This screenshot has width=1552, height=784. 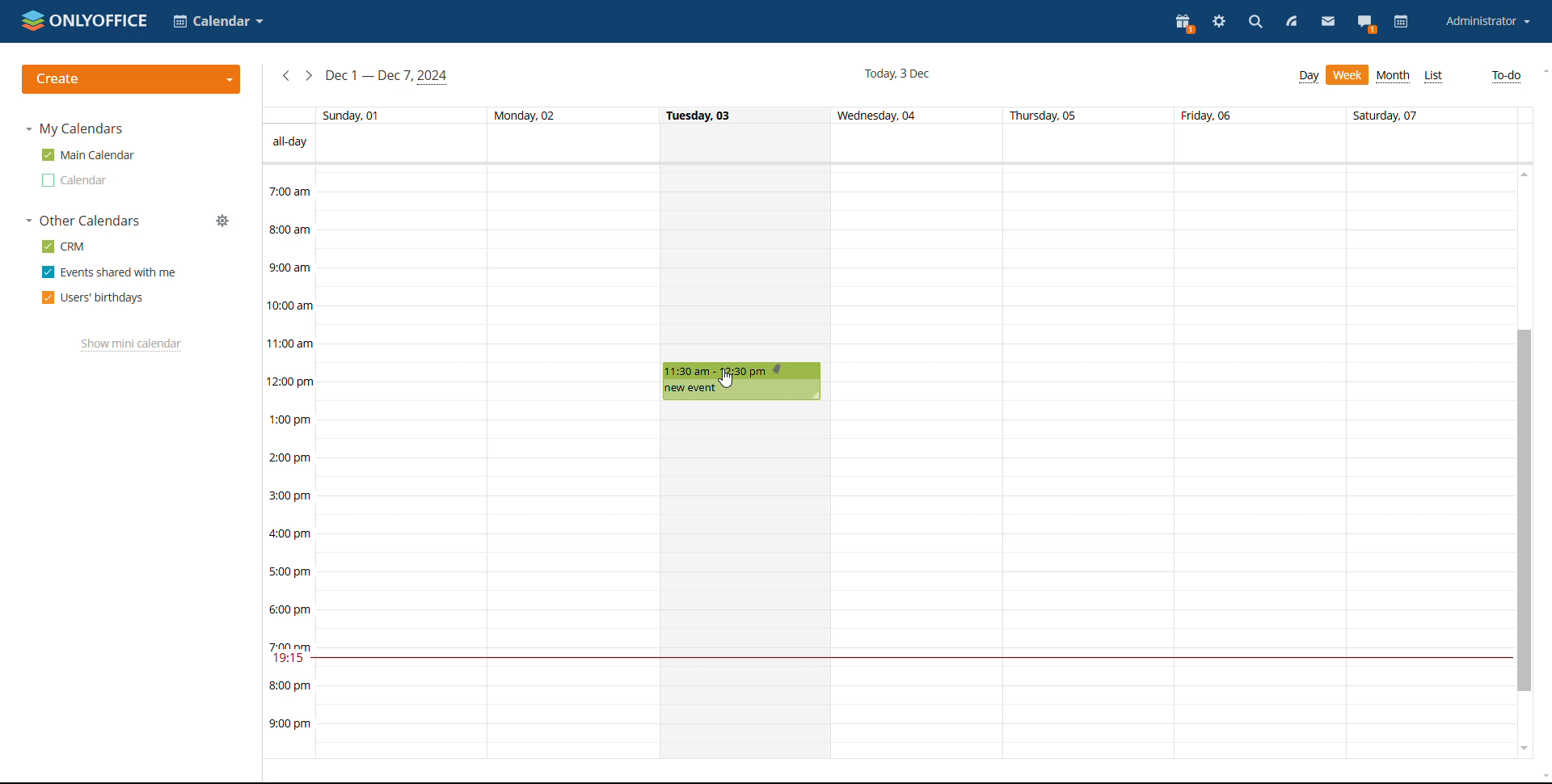 I want to click on 9:00 am, so click(x=289, y=266).